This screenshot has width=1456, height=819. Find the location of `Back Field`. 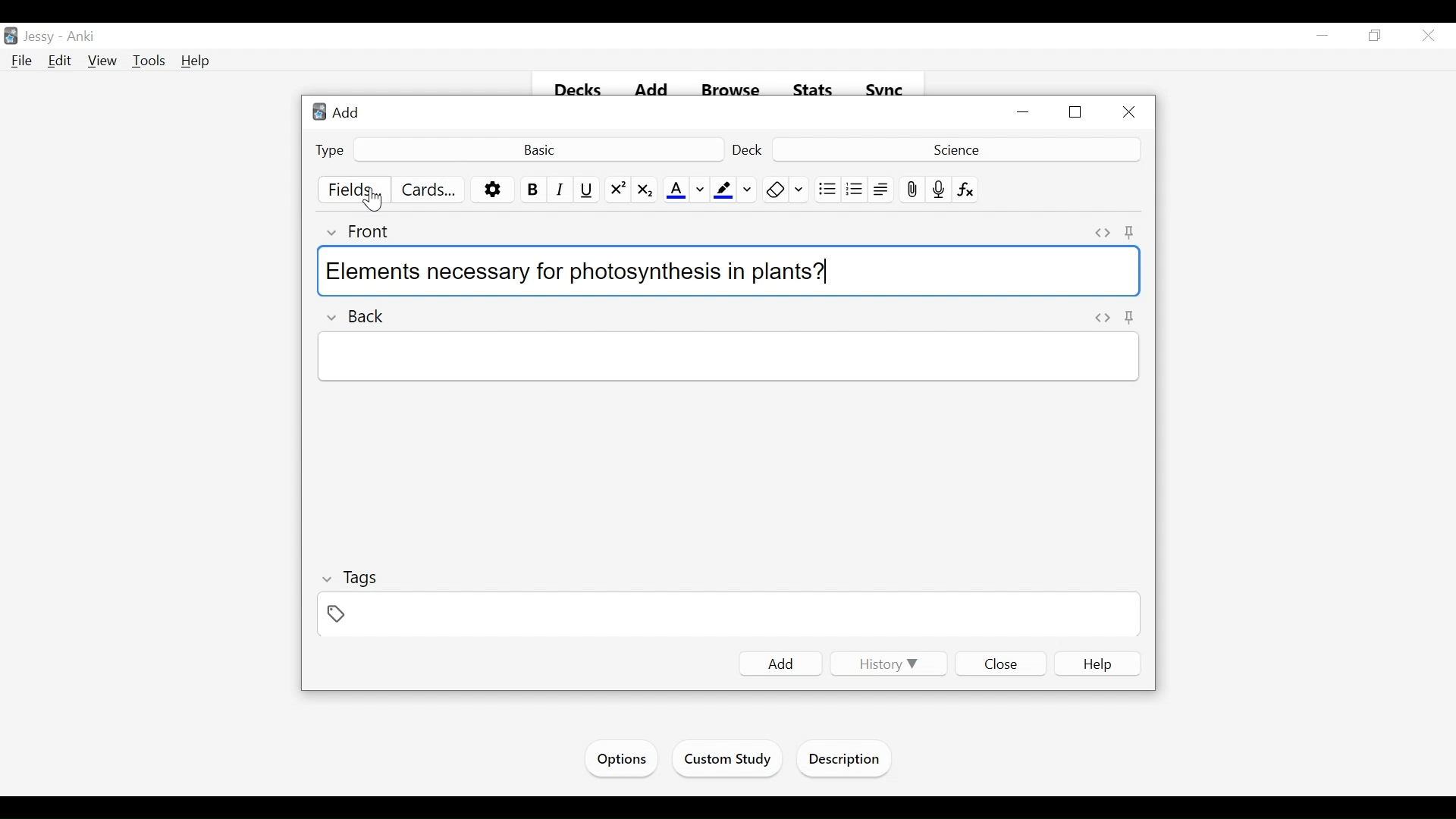

Back Field is located at coordinates (724, 359).